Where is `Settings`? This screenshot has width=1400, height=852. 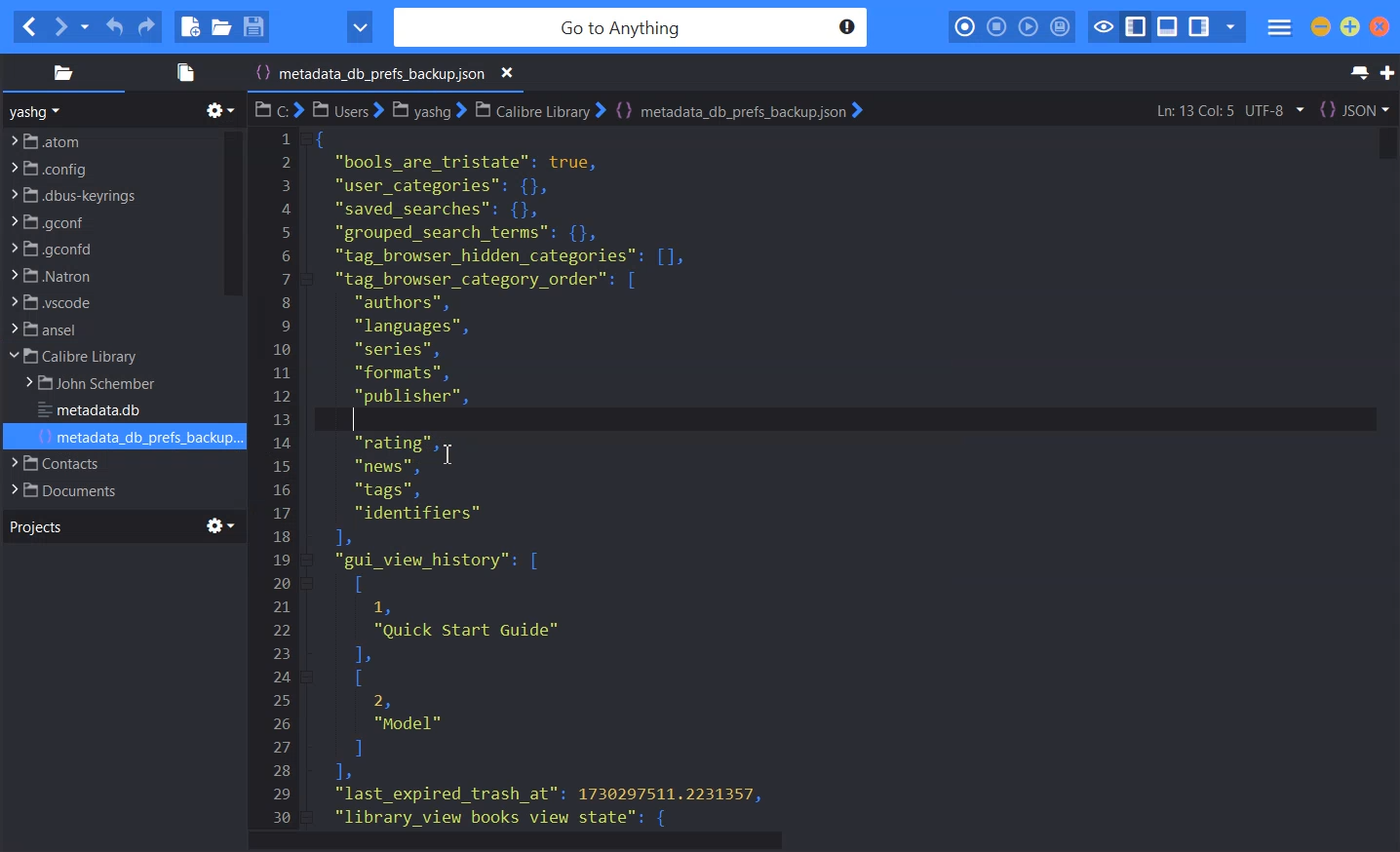 Settings is located at coordinates (221, 525).